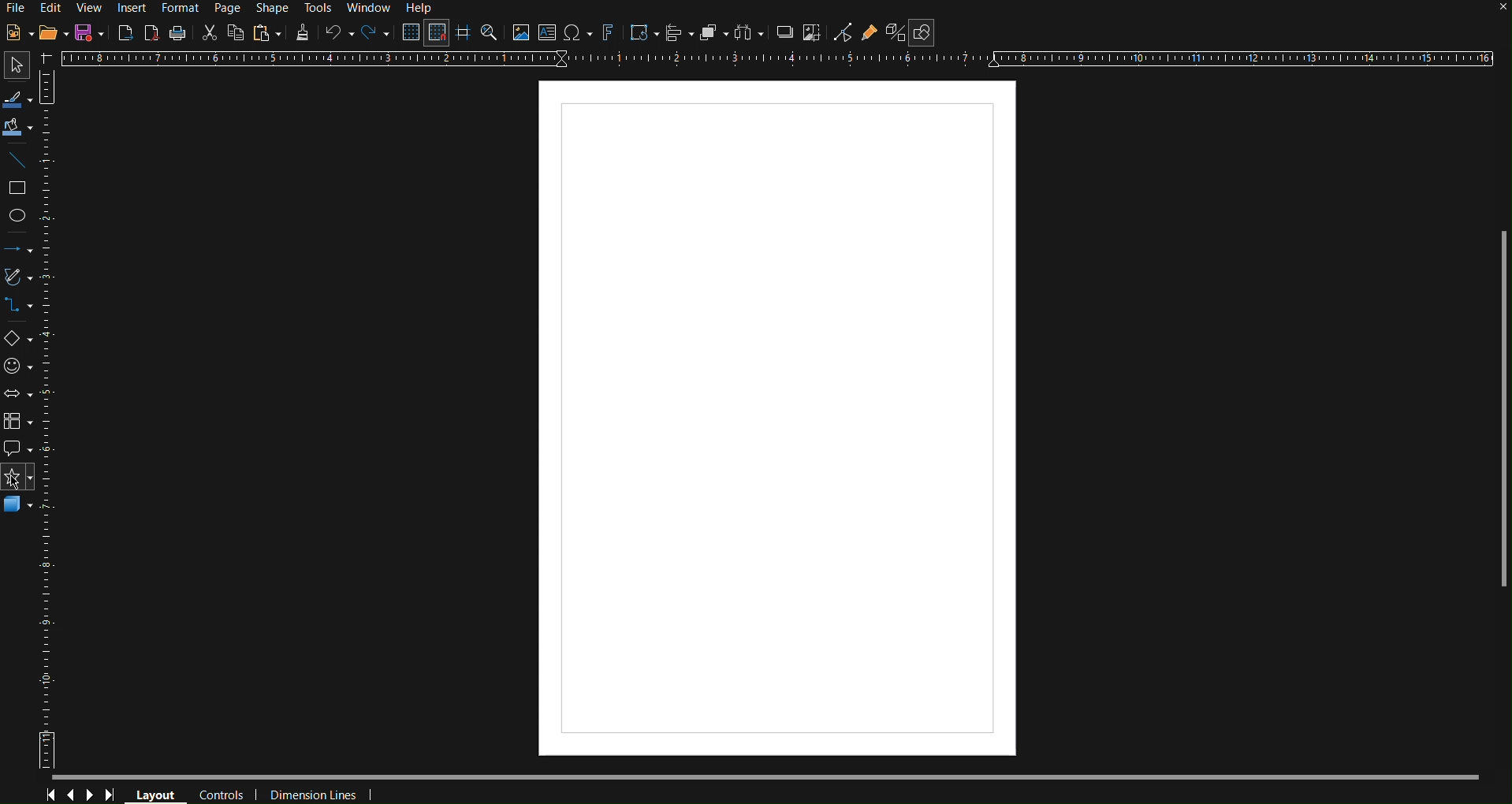 Image resolution: width=1512 pixels, height=804 pixels. What do you see at coordinates (221, 793) in the screenshot?
I see `Controls` at bounding box center [221, 793].